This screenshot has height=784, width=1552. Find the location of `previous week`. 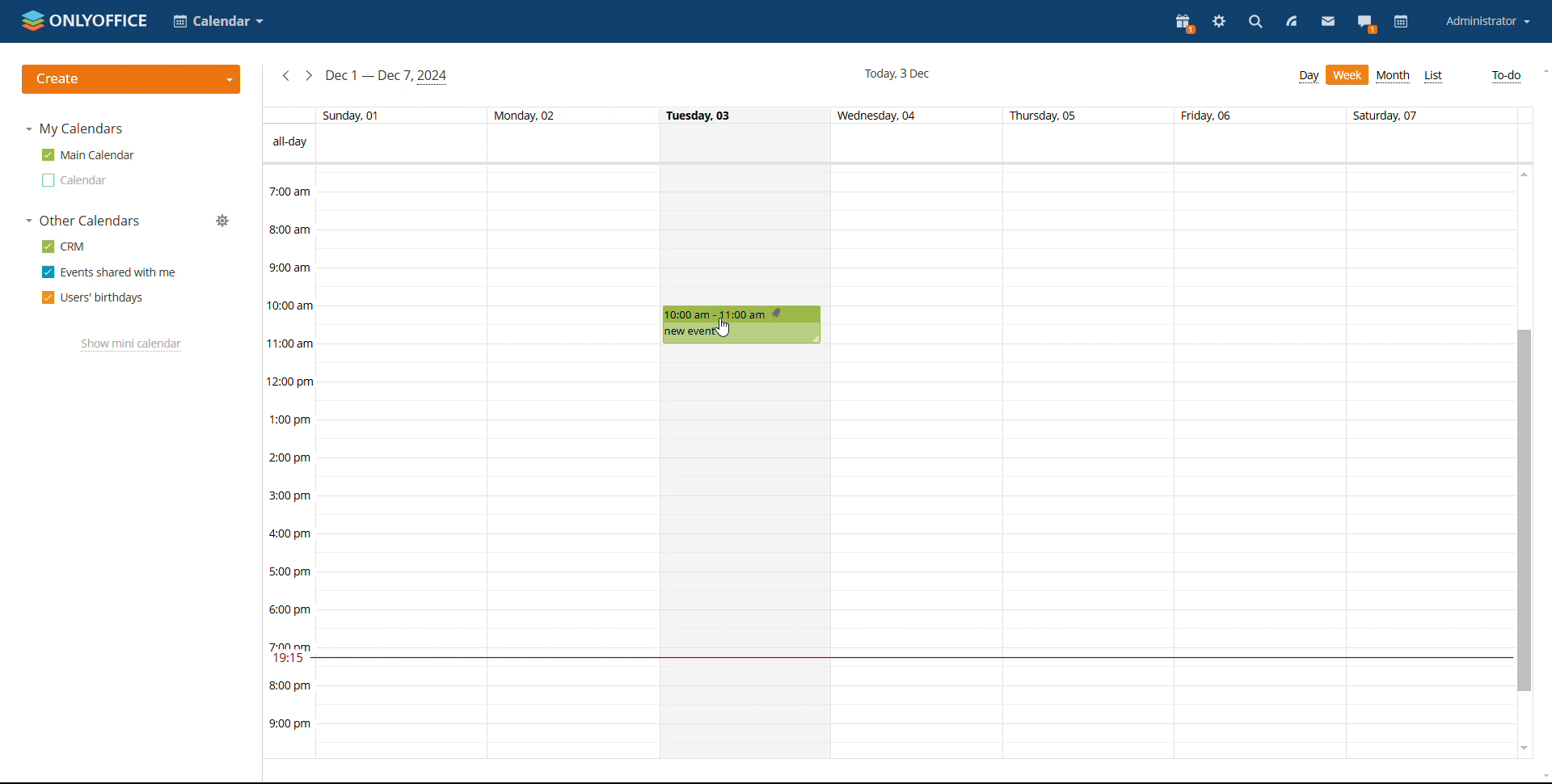

previous week is located at coordinates (286, 77).